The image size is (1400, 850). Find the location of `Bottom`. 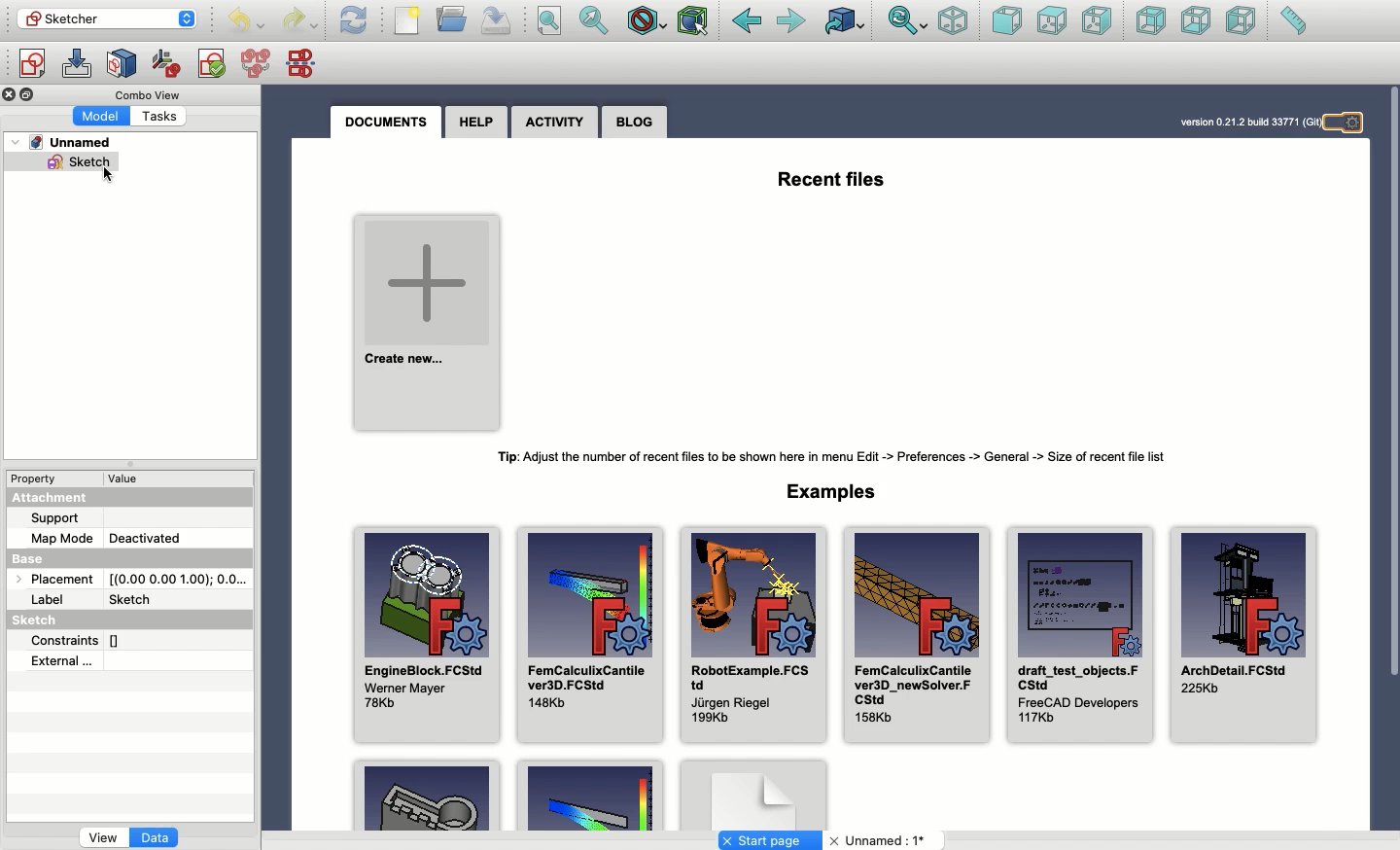

Bottom is located at coordinates (1194, 20).